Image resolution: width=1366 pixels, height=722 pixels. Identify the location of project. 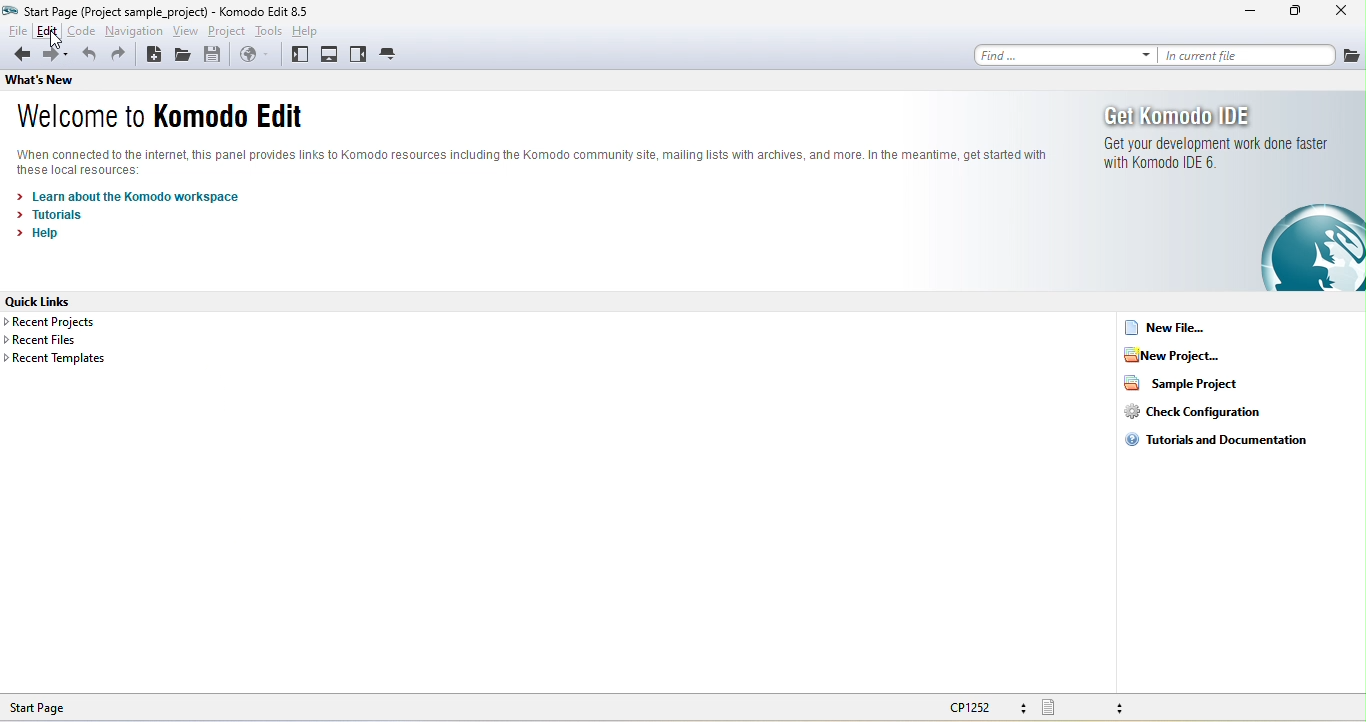
(225, 31).